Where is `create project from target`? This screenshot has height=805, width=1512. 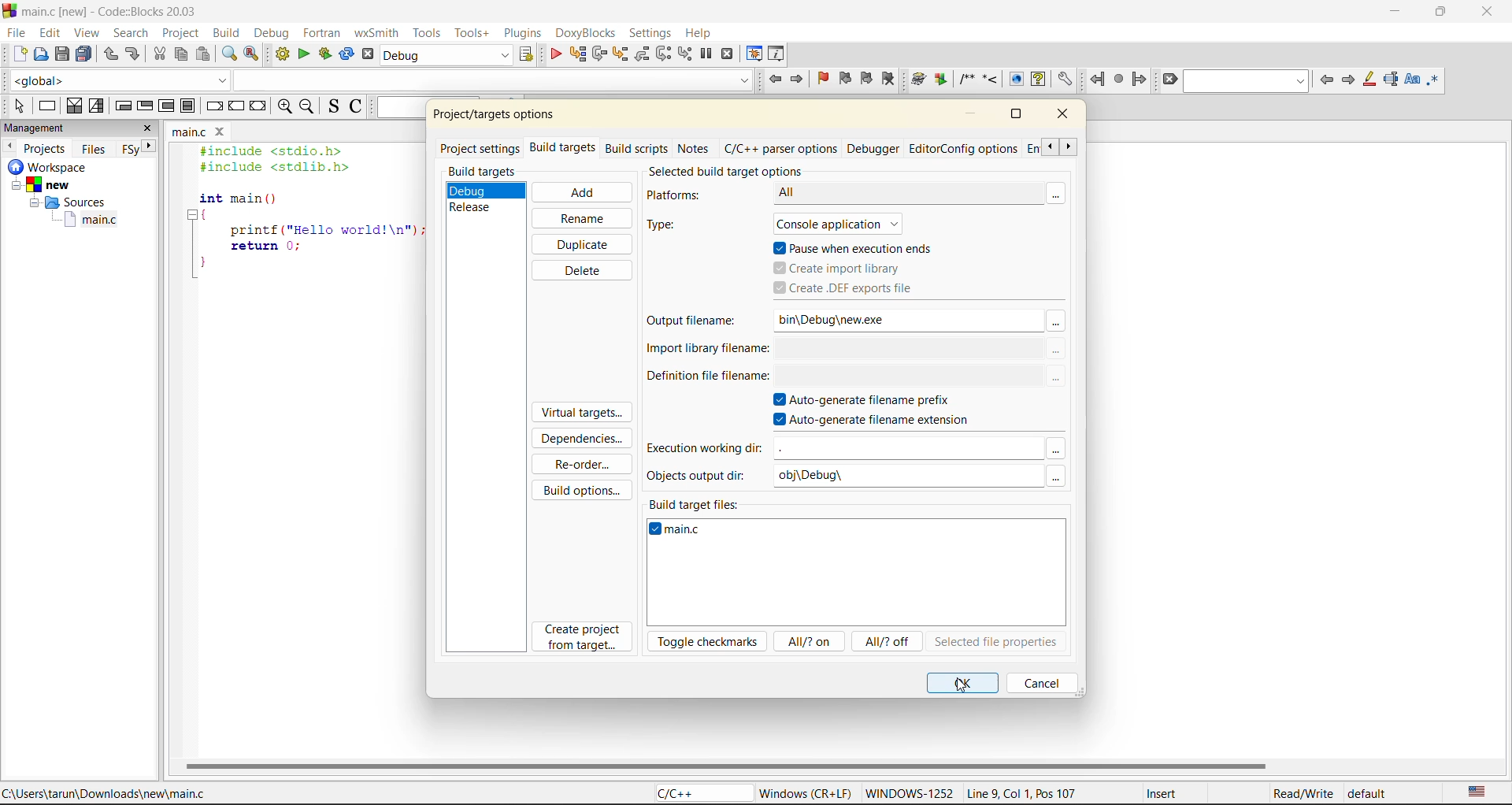 create project from target is located at coordinates (584, 638).